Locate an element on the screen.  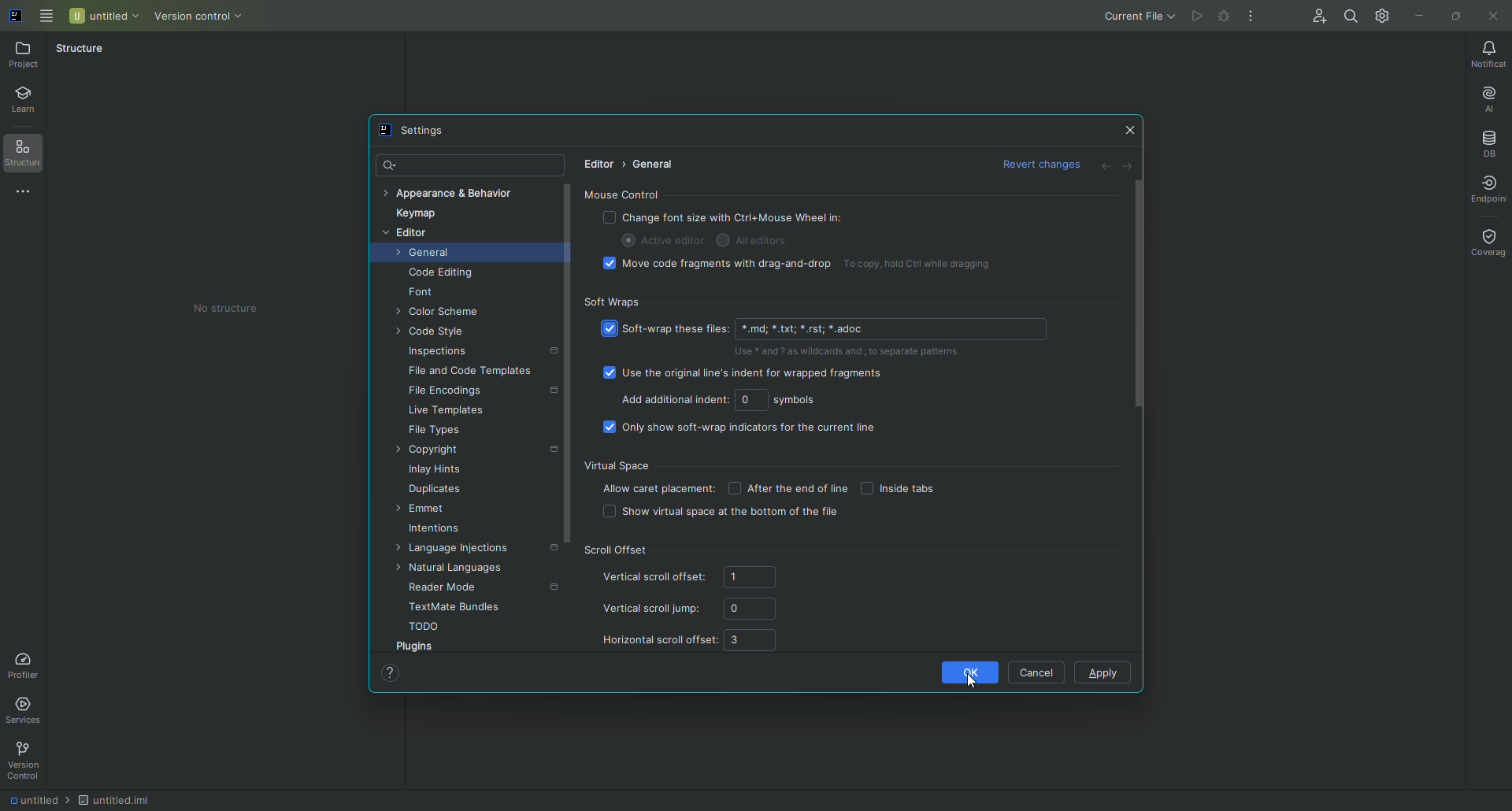
More Tools is located at coordinates (27, 194).